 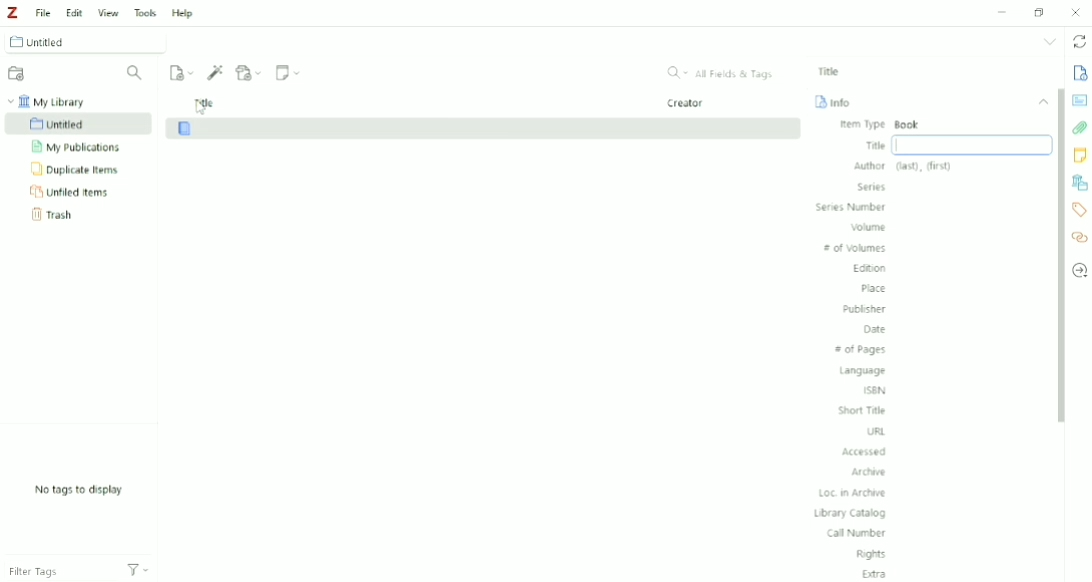 I want to click on Filter Collections, so click(x=137, y=73).